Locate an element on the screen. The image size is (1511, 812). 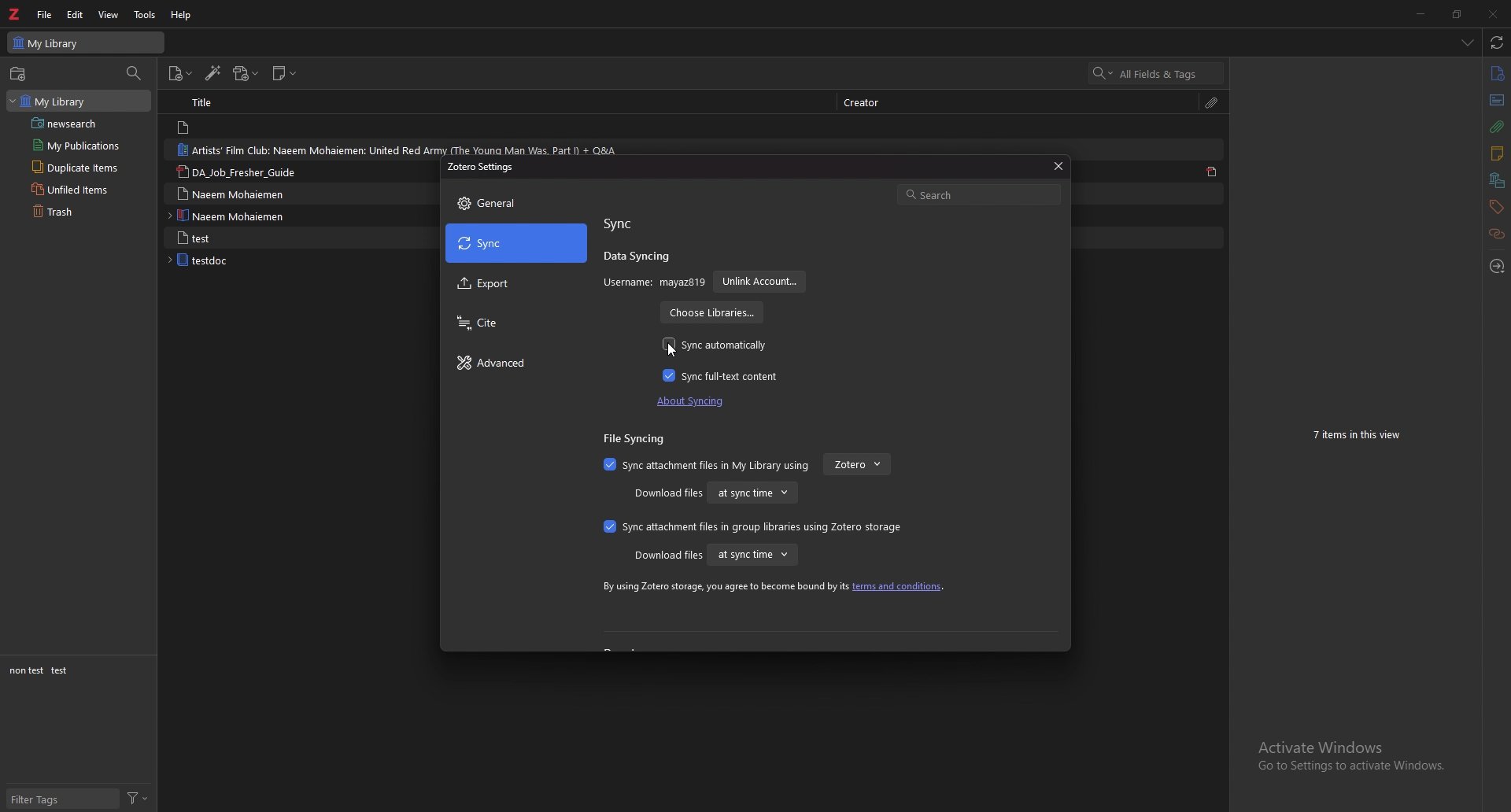
test is located at coordinates (238, 238).